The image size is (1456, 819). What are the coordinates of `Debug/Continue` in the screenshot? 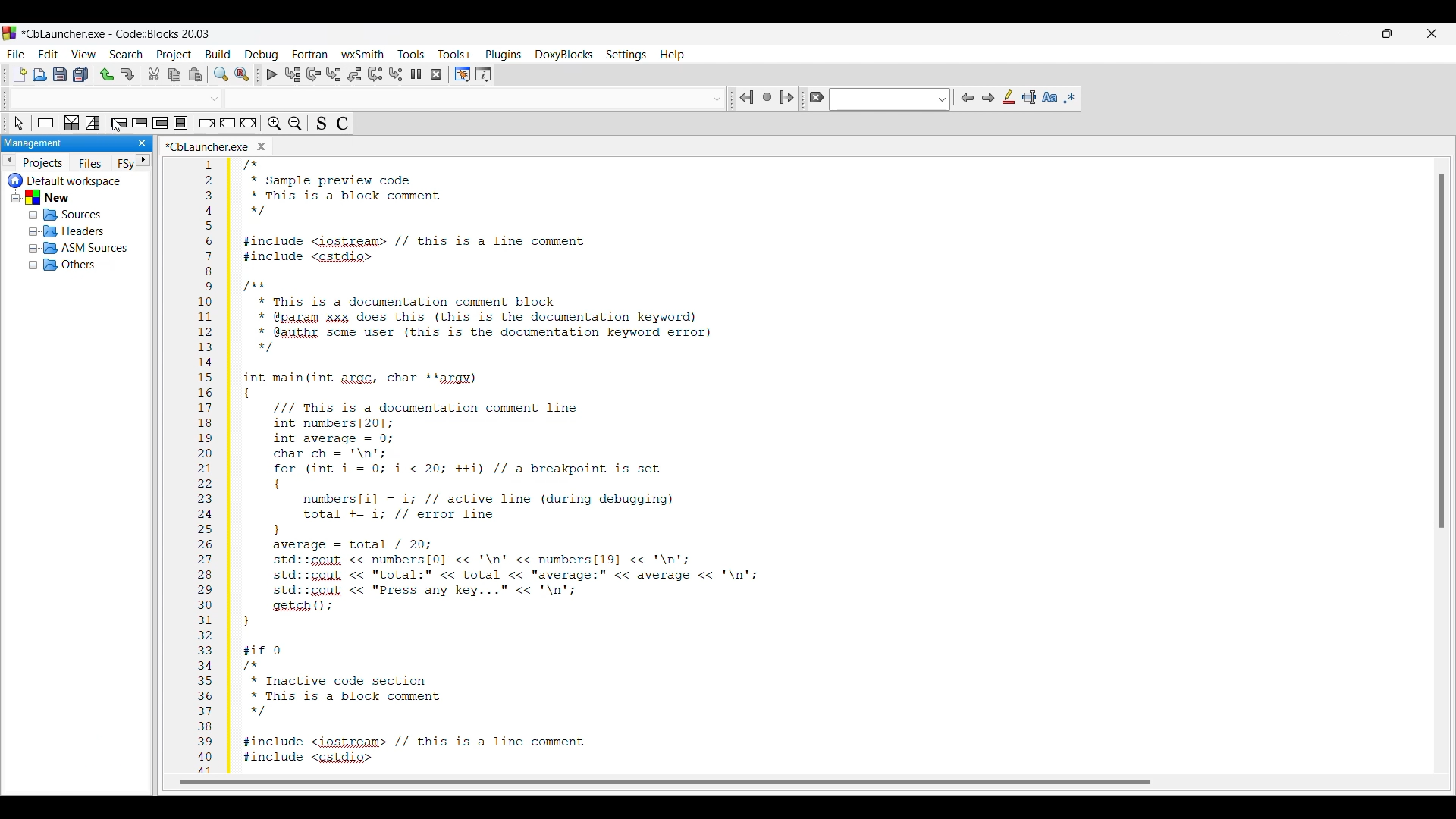 It's located at (272, 74).